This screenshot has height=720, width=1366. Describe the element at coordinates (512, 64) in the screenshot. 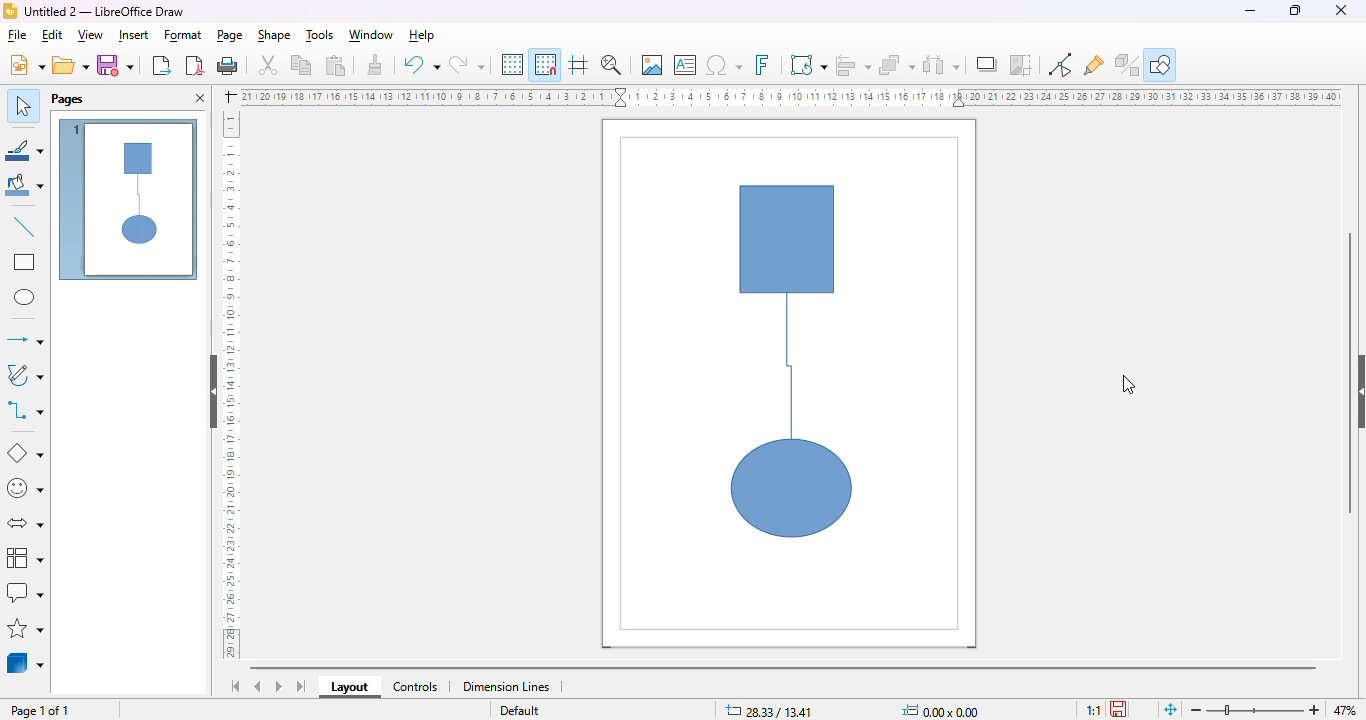

I see `display grid` at that location.